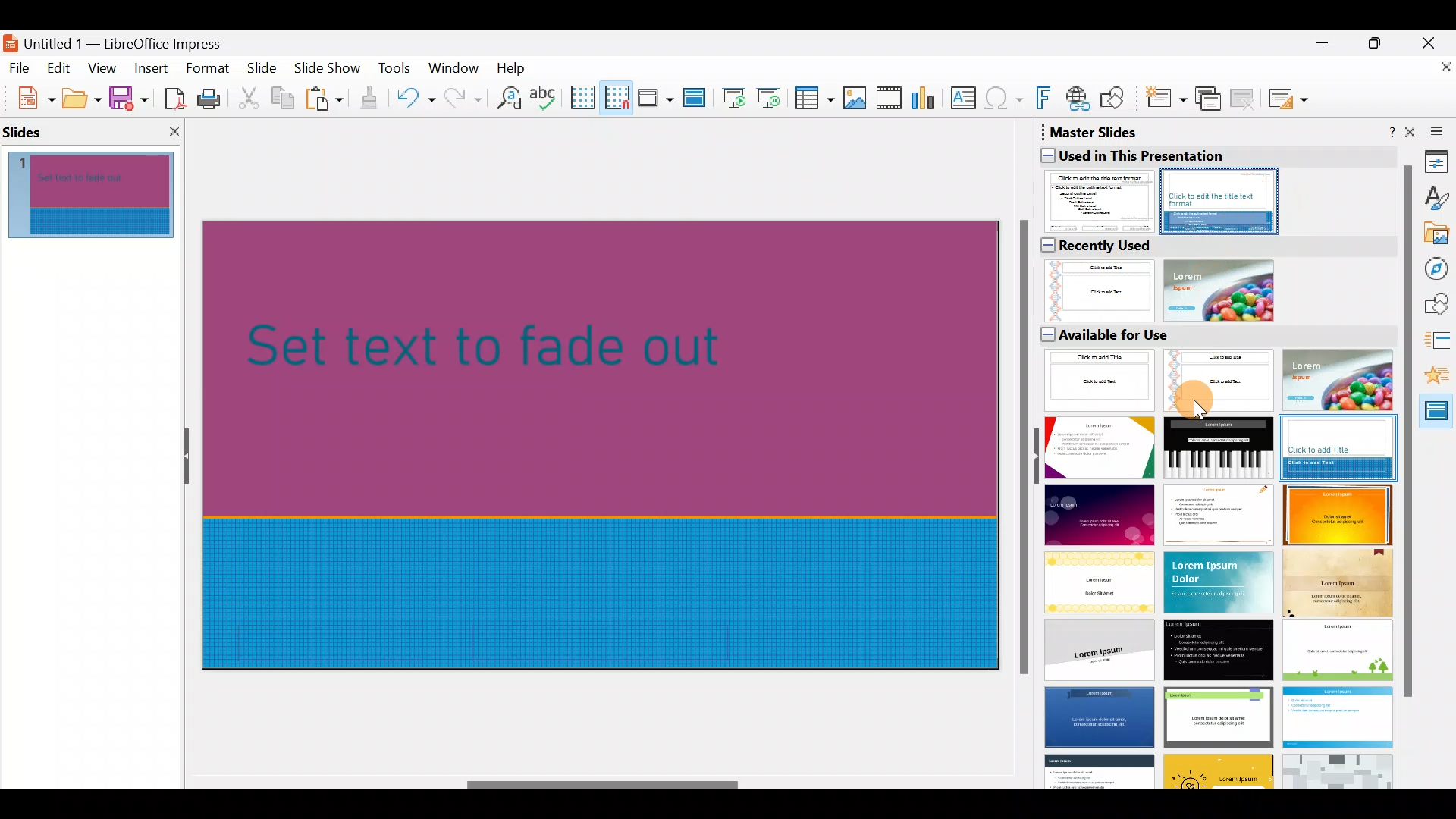 This screenshot has width=1456, height=819. I want to click on , so click(174, 457).